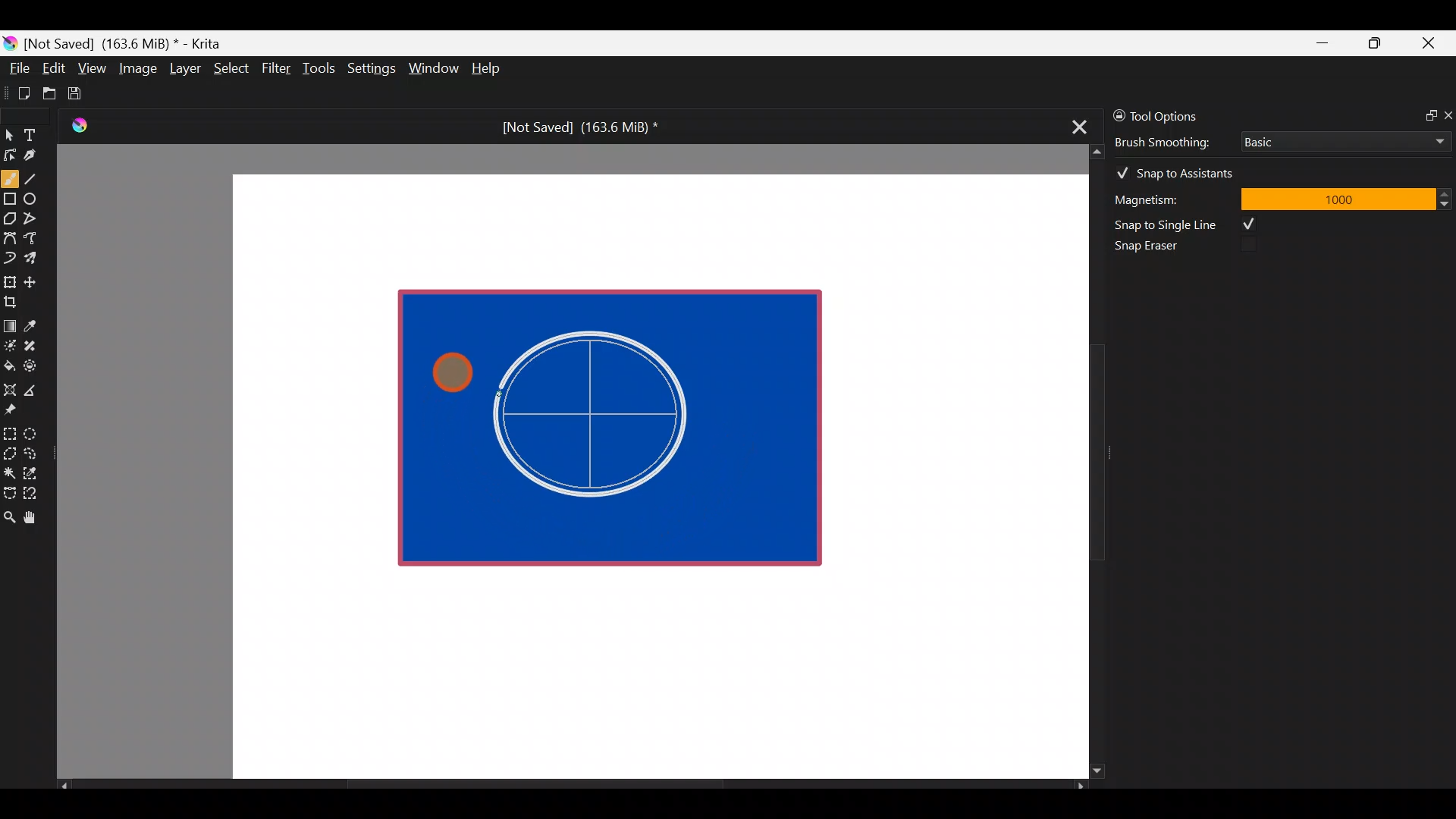 This screenshot has height=819, width=1456. I want to click on Krita Logo, so click(77, 125).